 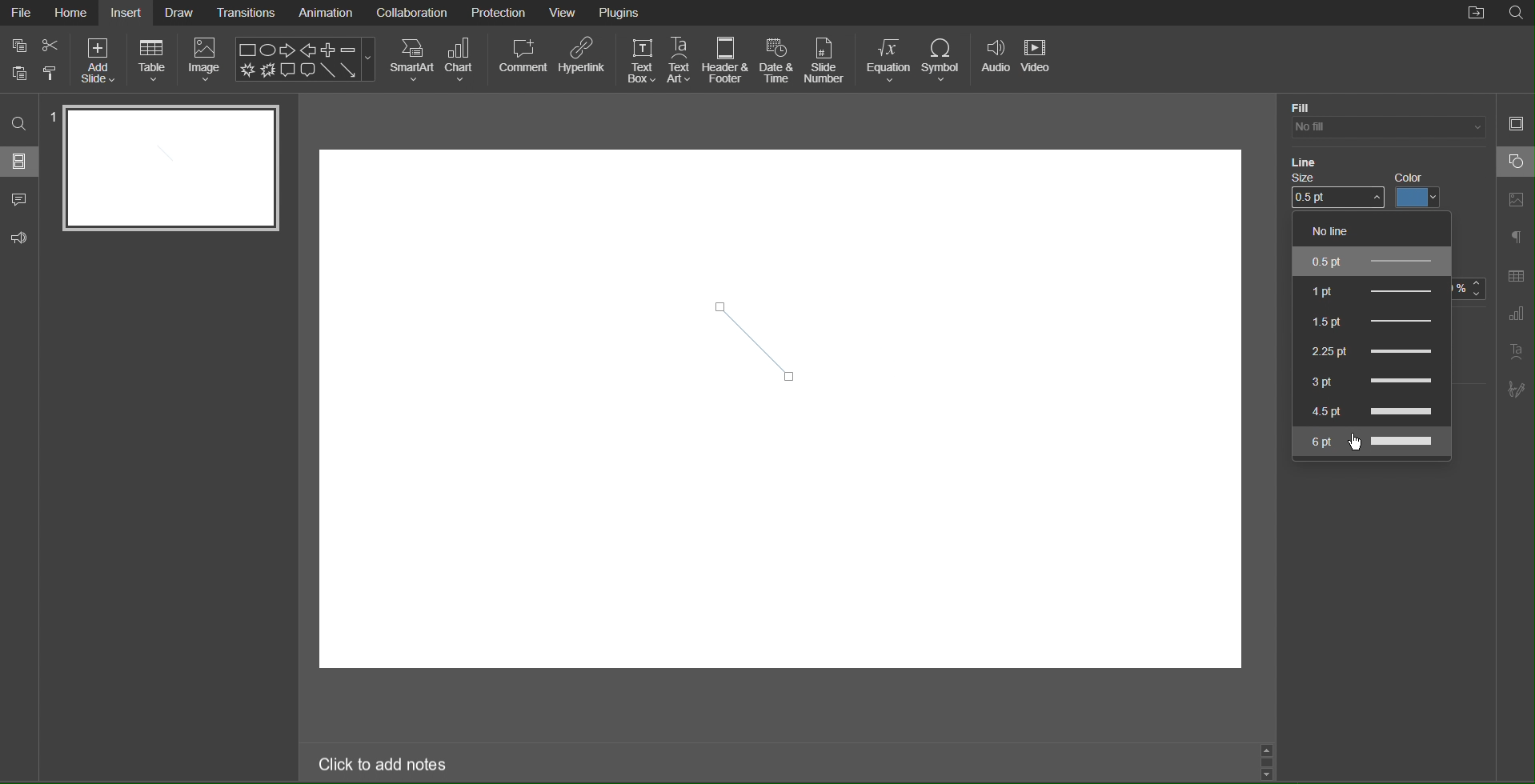 I want to click on Symbol, so click(x=944, y=58).